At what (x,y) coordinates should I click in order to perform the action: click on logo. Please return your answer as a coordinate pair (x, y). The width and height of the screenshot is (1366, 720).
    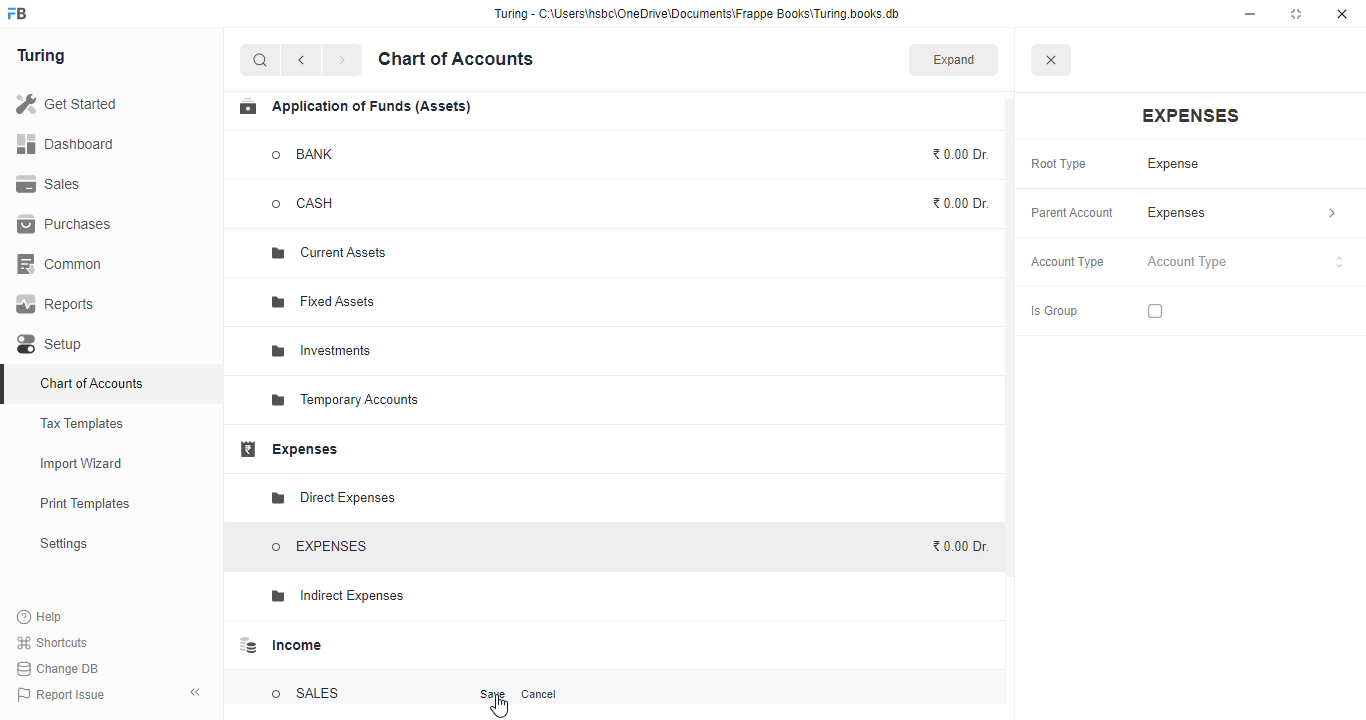
    Looking at the image, I should click on (18, 13).